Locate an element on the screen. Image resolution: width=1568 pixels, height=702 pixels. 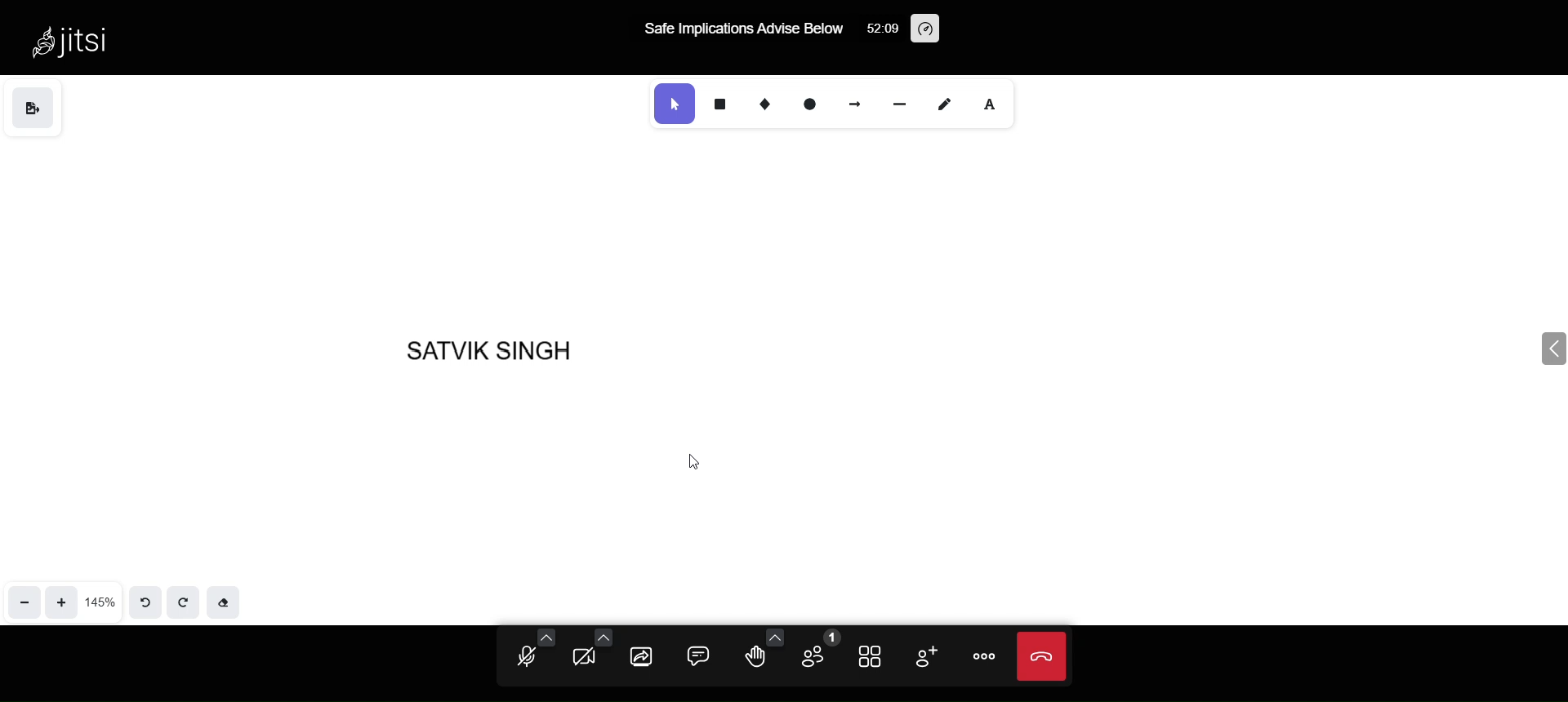
zoom in is located at coordinates (63, 600).